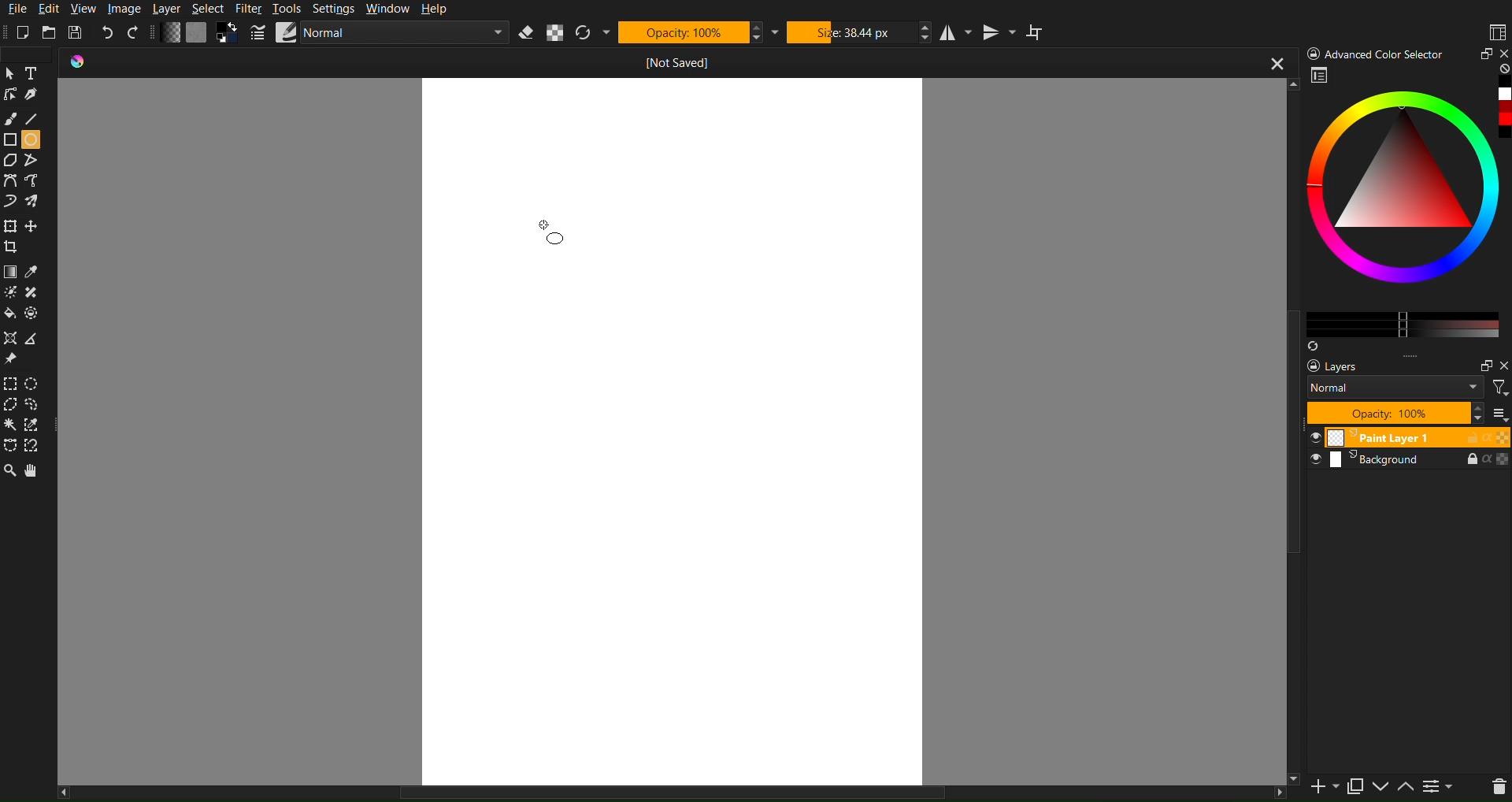  Describe the element at coordinates (52, 9) in the screenshot. I see `Edit` at that location.